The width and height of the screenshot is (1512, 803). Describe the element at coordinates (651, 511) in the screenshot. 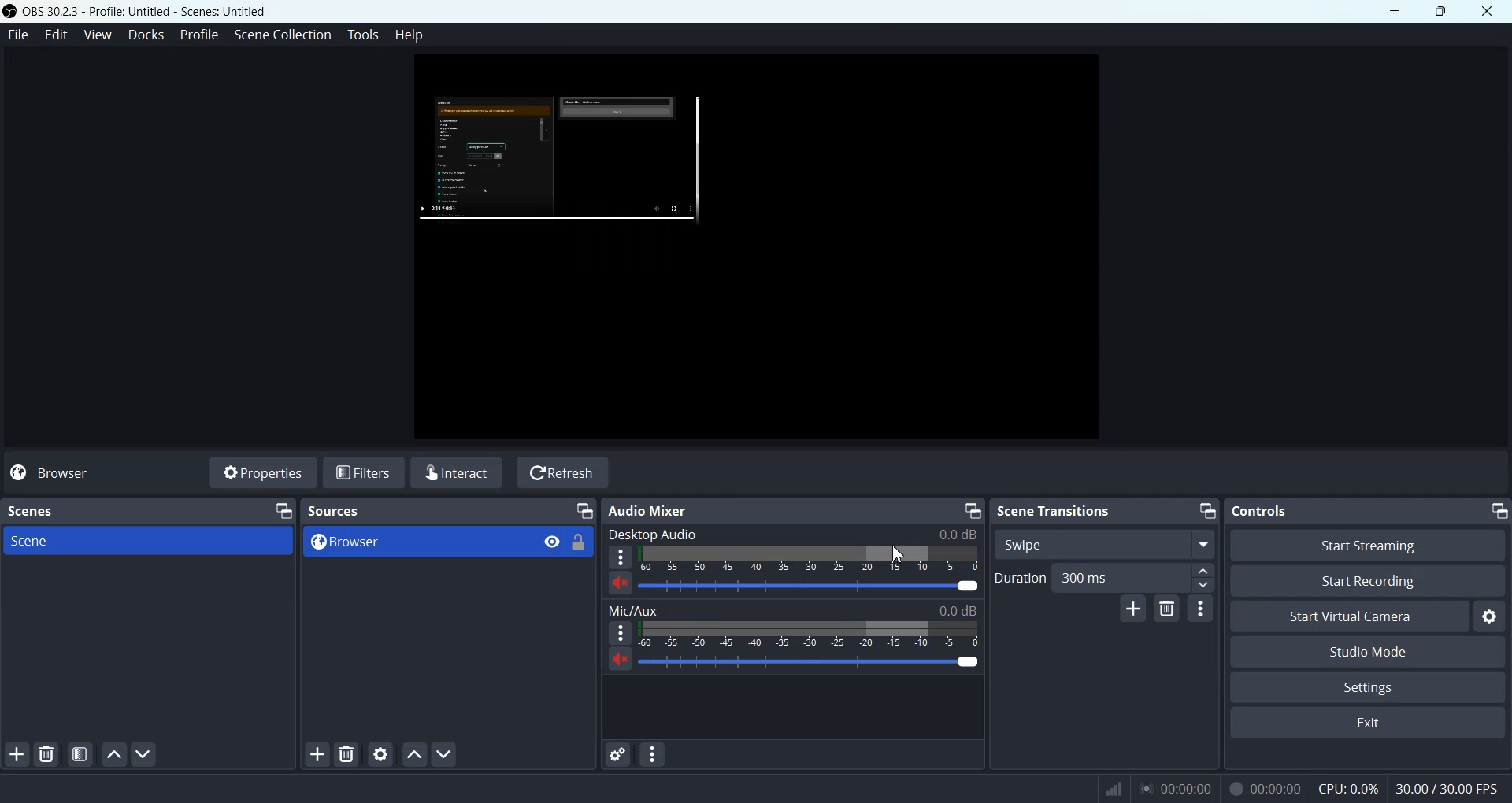

I see `Audio mixer` at that location.